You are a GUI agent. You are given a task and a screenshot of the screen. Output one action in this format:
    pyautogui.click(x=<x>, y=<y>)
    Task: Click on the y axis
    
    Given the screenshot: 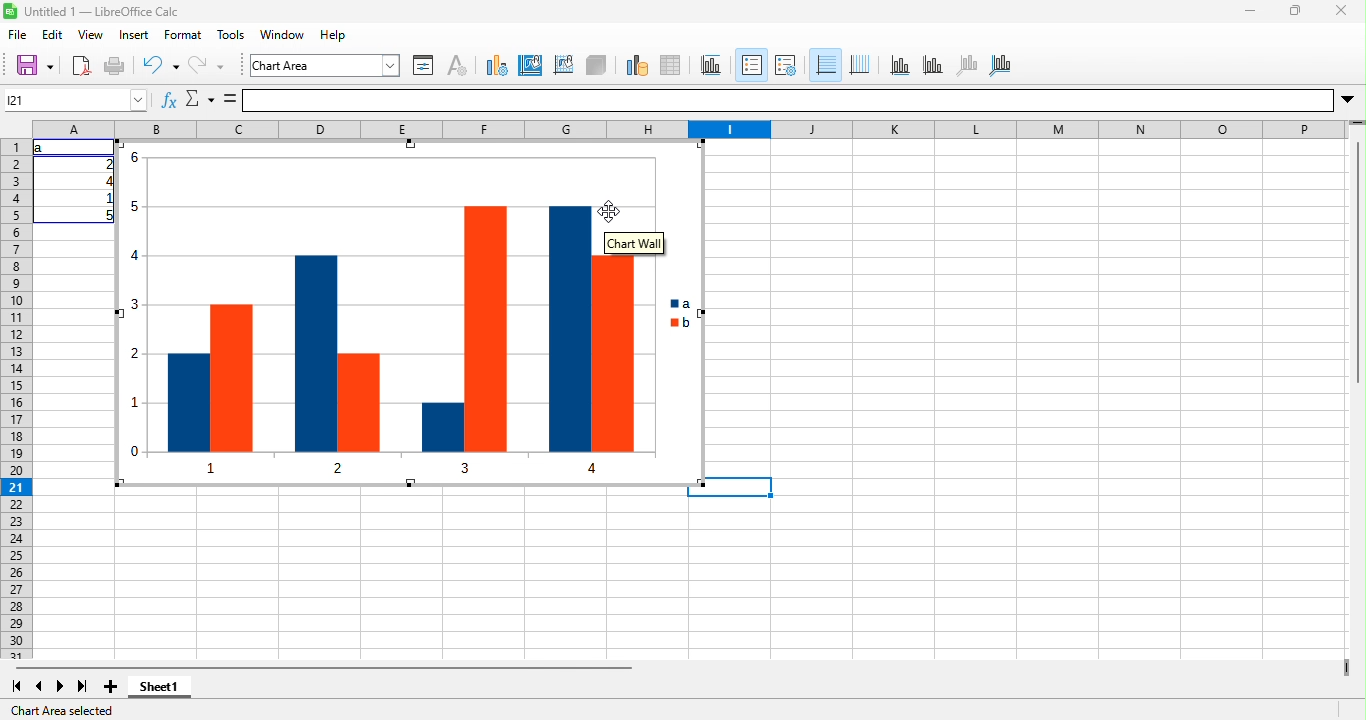 What is the action you would take?
    pyautogui.click(x=934, y=66)
    